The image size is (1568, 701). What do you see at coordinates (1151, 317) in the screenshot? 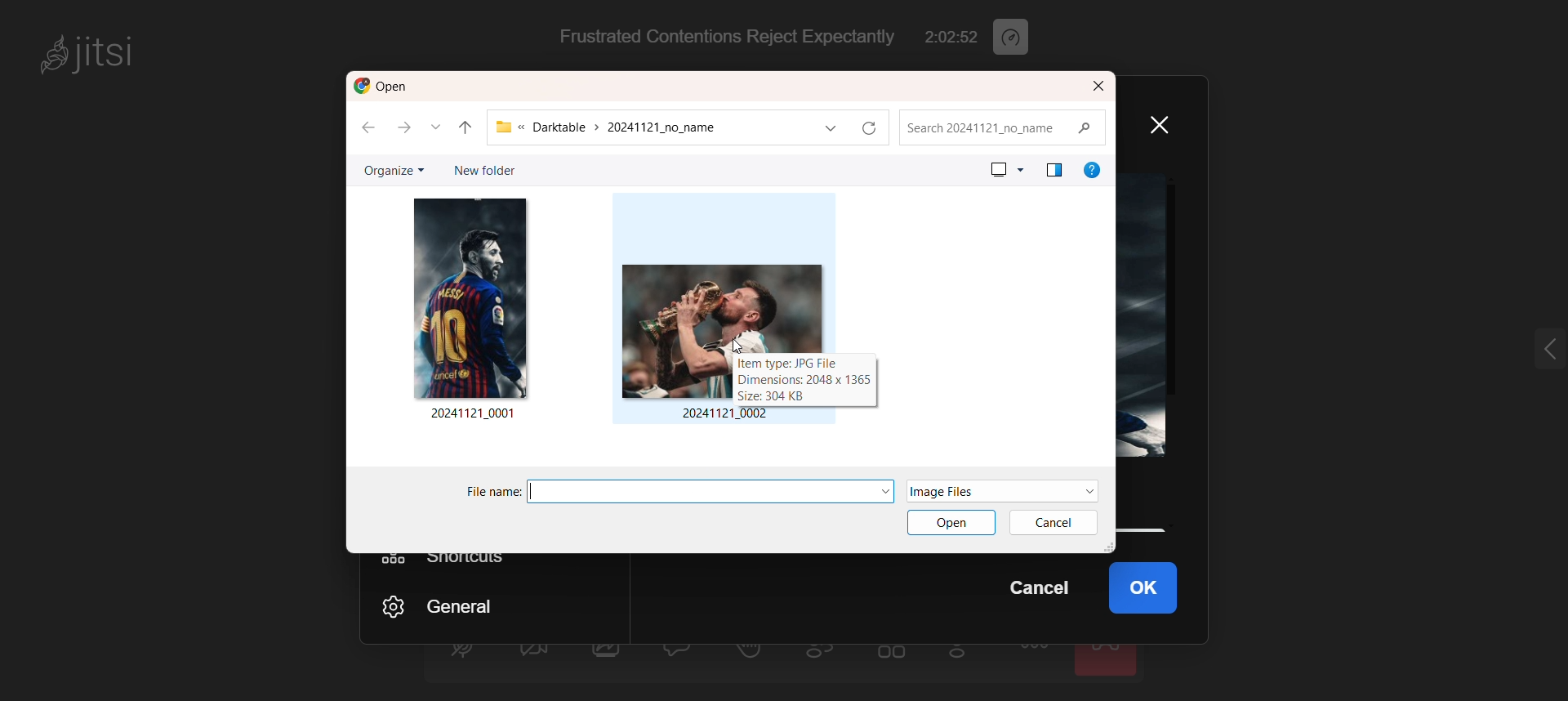
I see `current virtual background` at bounding box center [1151, 317].